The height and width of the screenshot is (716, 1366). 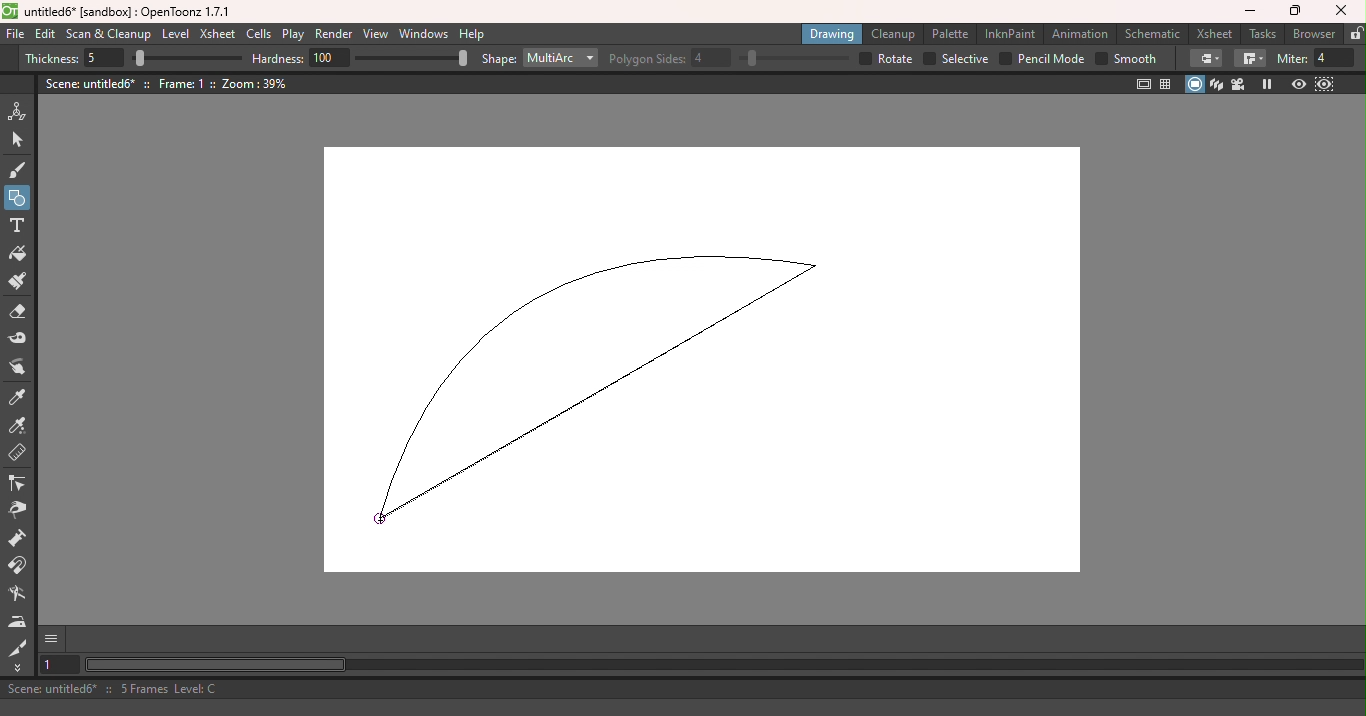 I want to click on GUI Show/hide, so click(x=53, y=639).